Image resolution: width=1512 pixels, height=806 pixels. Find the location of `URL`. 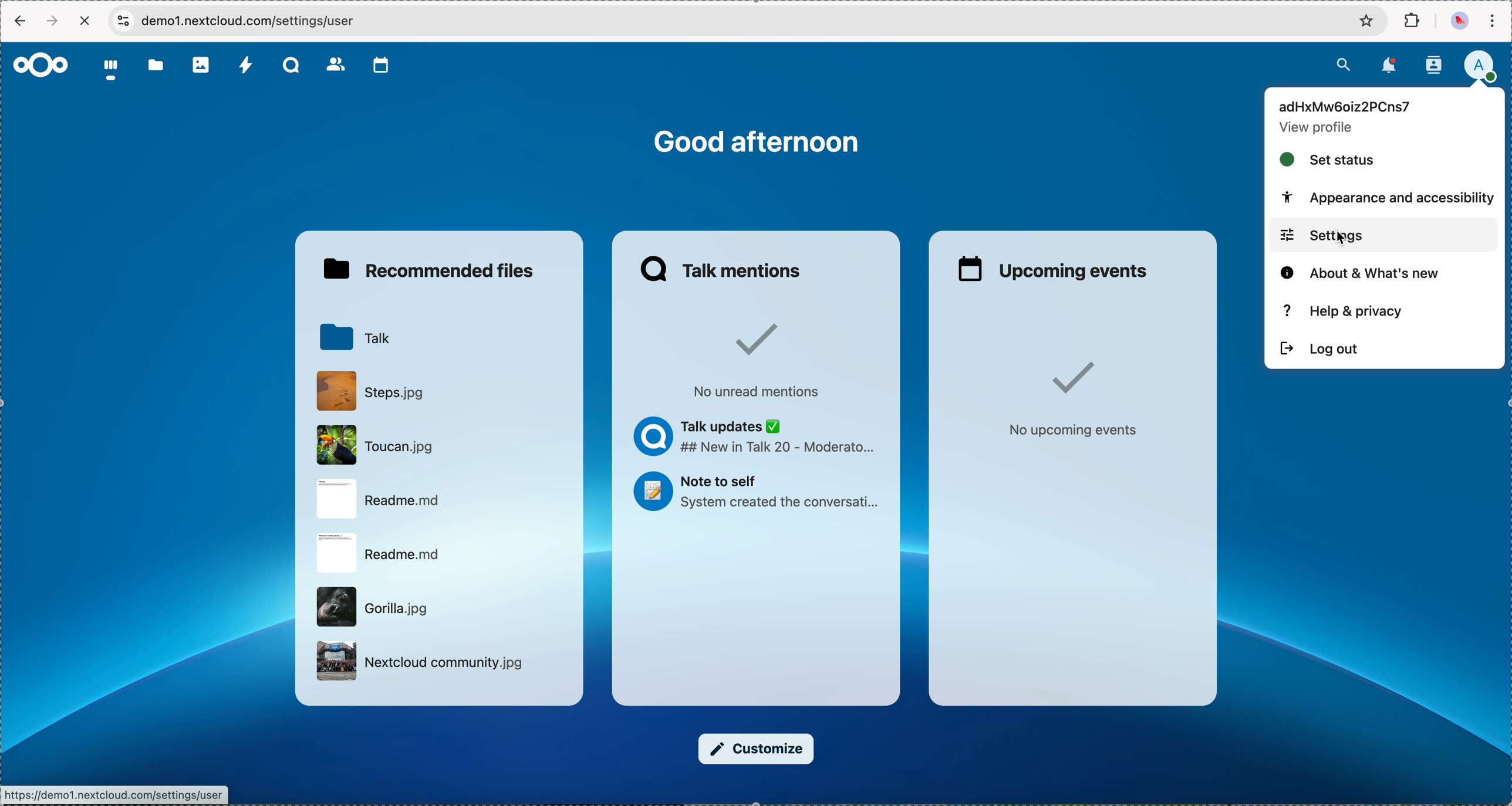

URL is located at coordinates (262, 21).